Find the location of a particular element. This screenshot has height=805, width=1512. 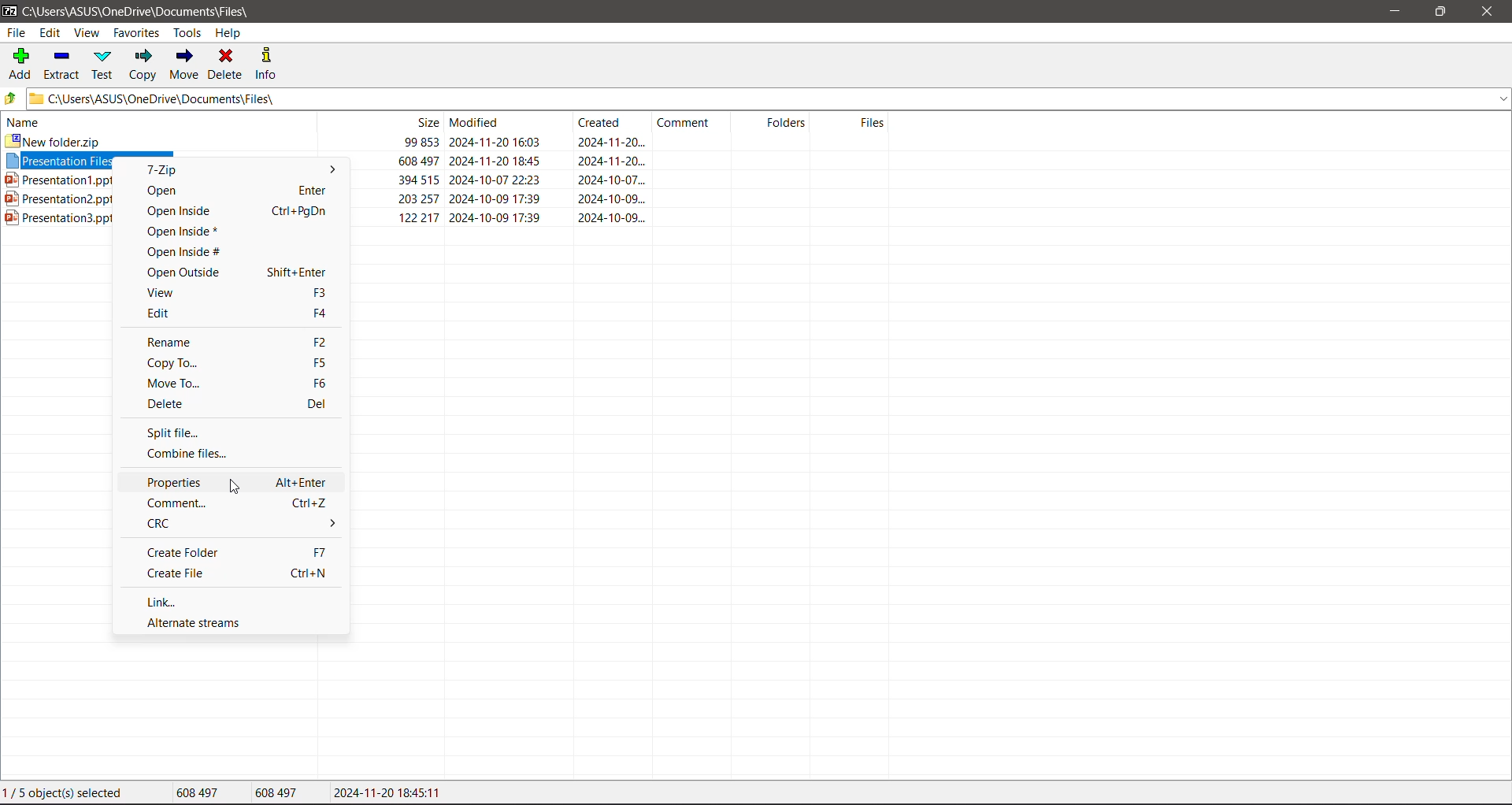

Presentation ries archive./z Uo 43/7 2UZ24-11-2U 1640 2UZ4-11-20... is located at coordinates (57, 161).